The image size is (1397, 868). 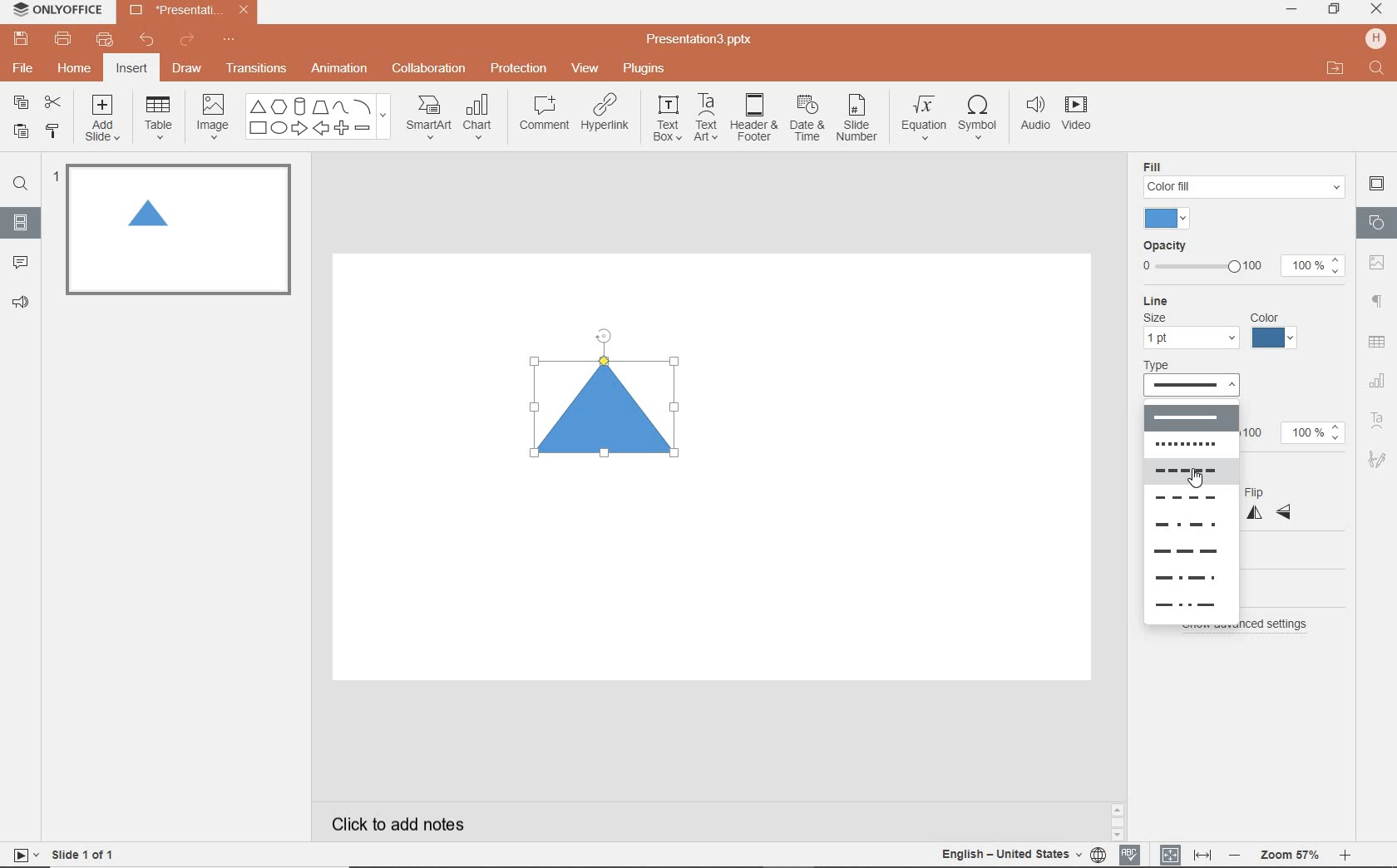 I want to click on CUSTOMIZE QUICK ACCESS TOOLBAR, so click(x=229, y=40).